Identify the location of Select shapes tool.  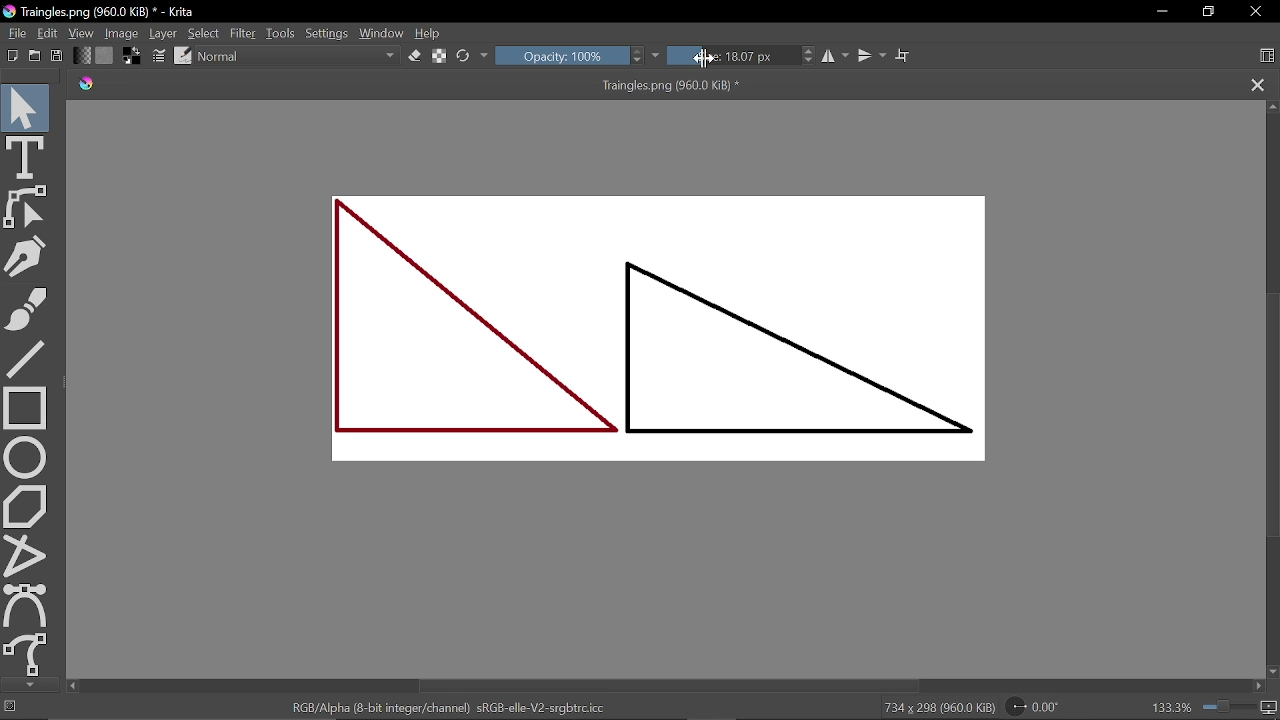
(25, 107).